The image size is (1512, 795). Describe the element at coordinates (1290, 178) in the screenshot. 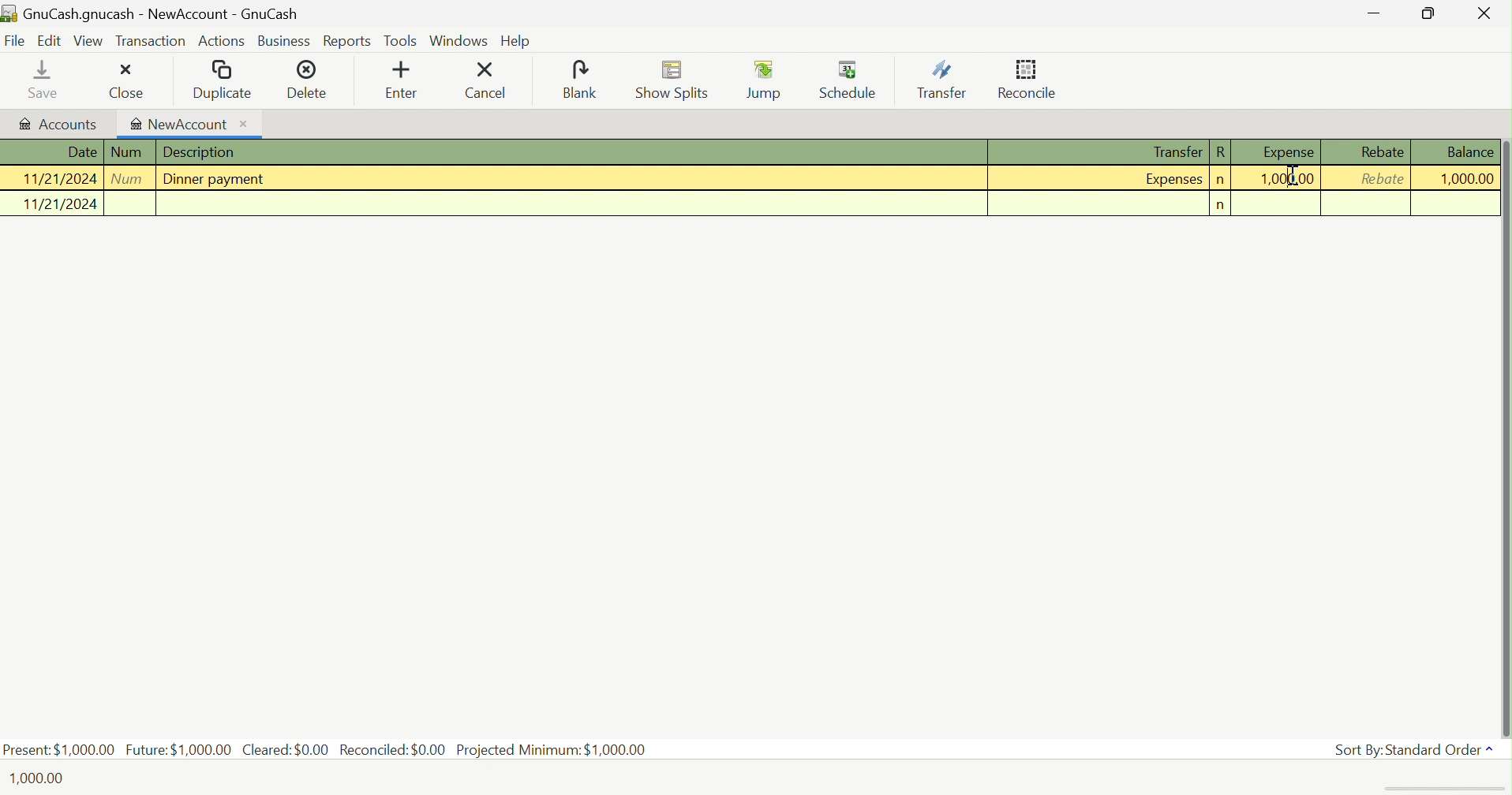

I see `1,000.00` at that location.